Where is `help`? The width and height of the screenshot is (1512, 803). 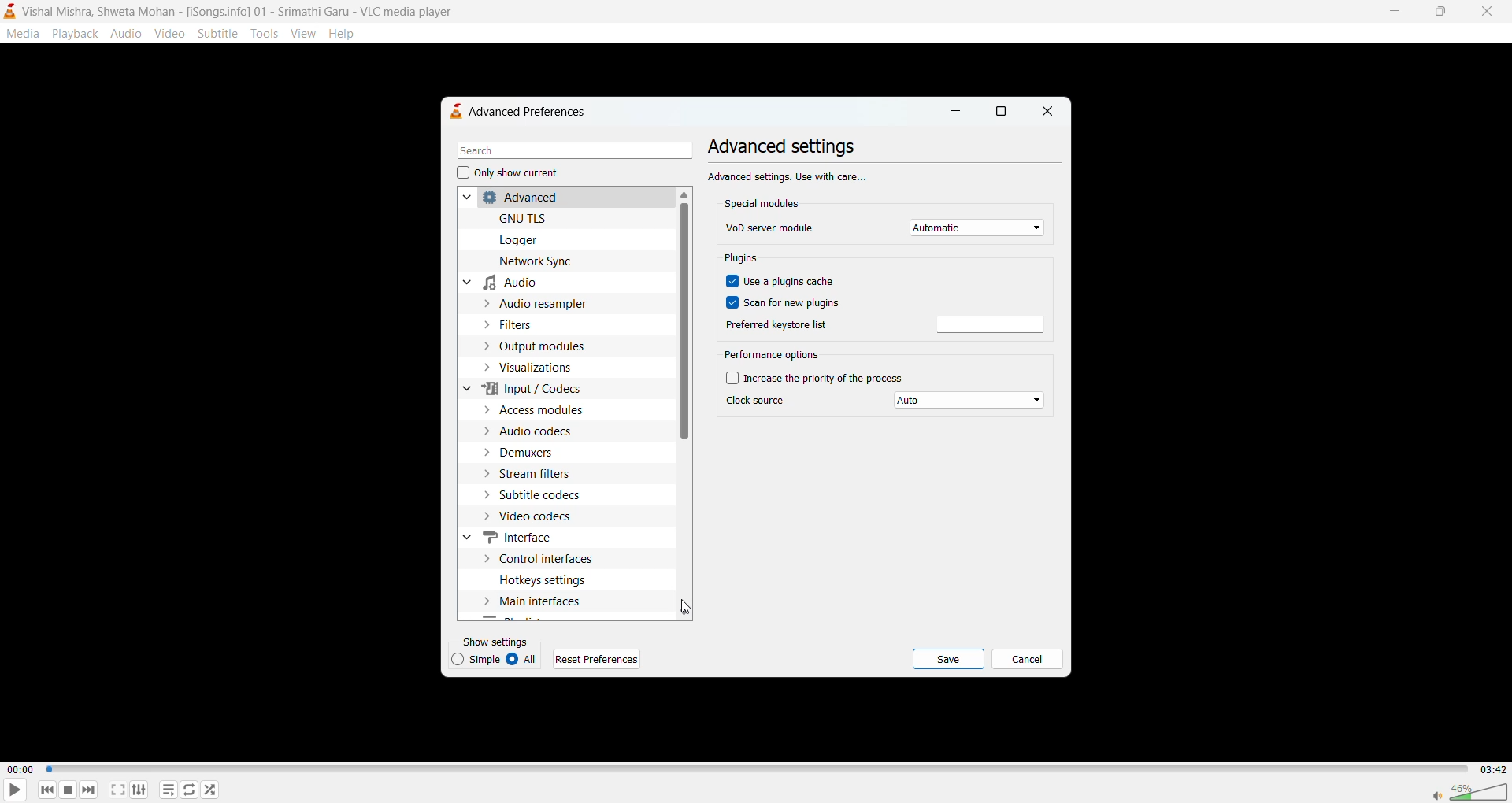
help is located at coordinates (344, 35).